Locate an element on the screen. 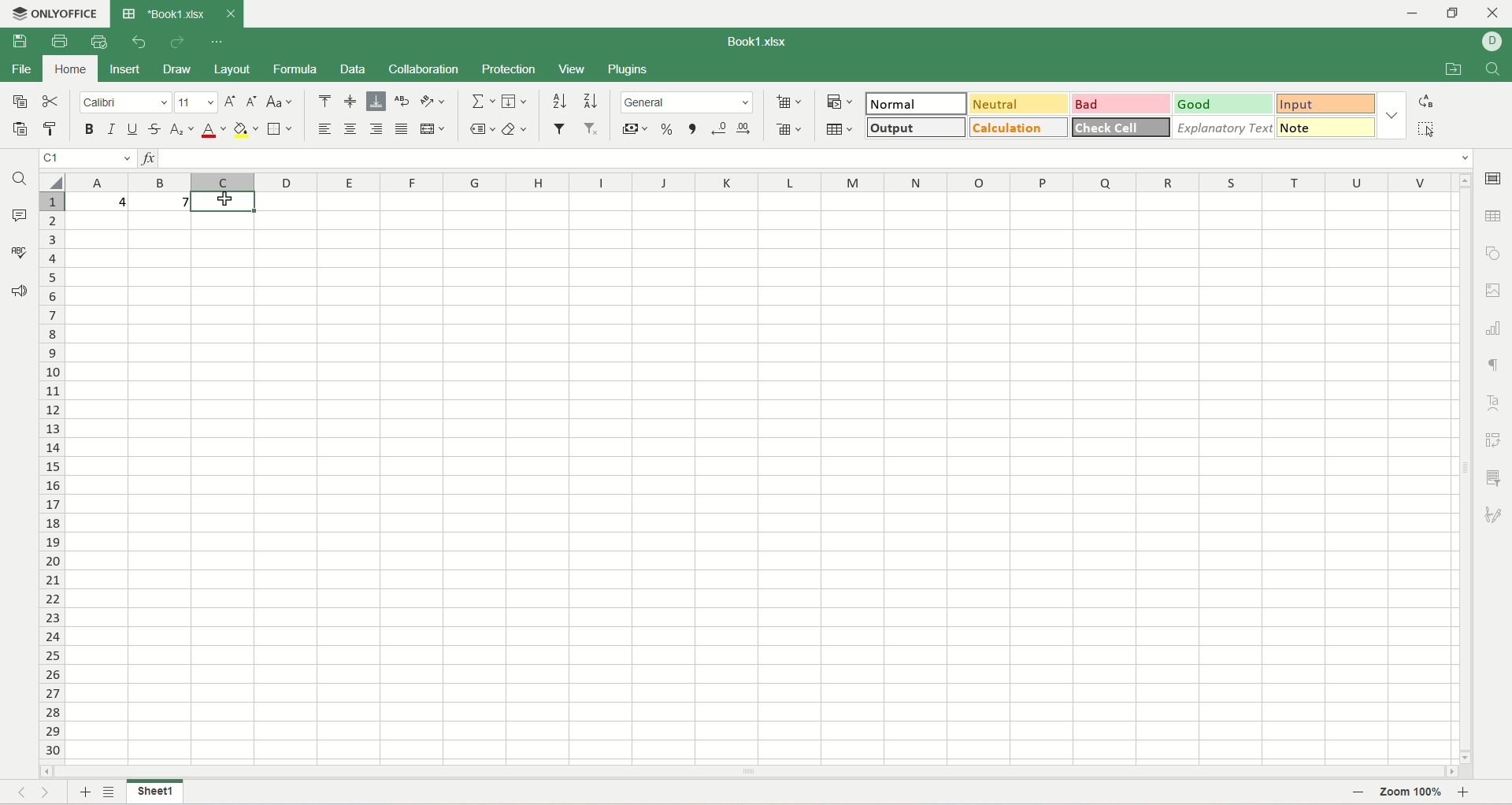 The image size is (1512, 805). formula is located at coordinates (296, 69).